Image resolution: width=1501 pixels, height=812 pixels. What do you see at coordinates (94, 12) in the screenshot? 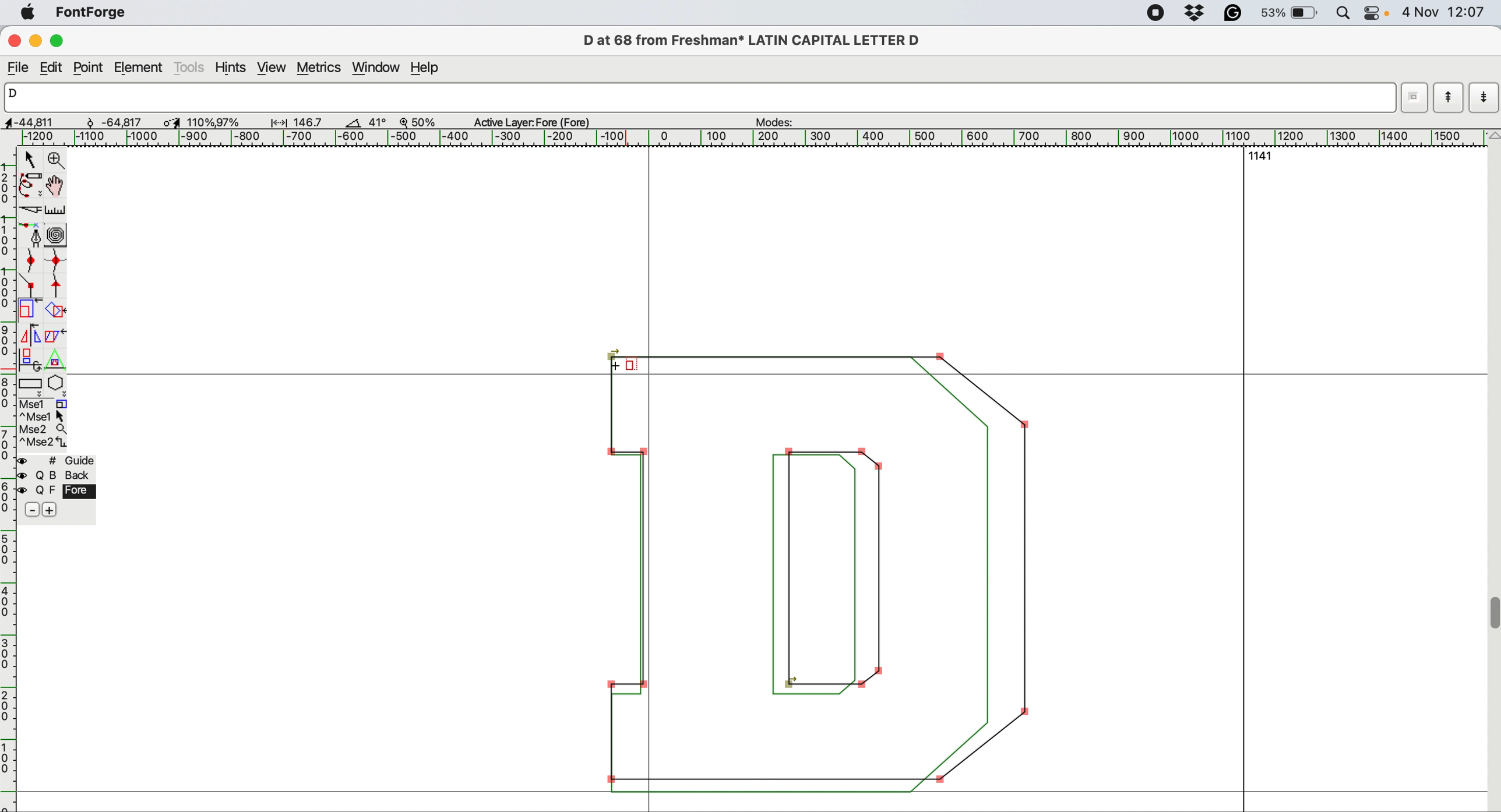
I see `font forge` at bounding box center [94, 12].